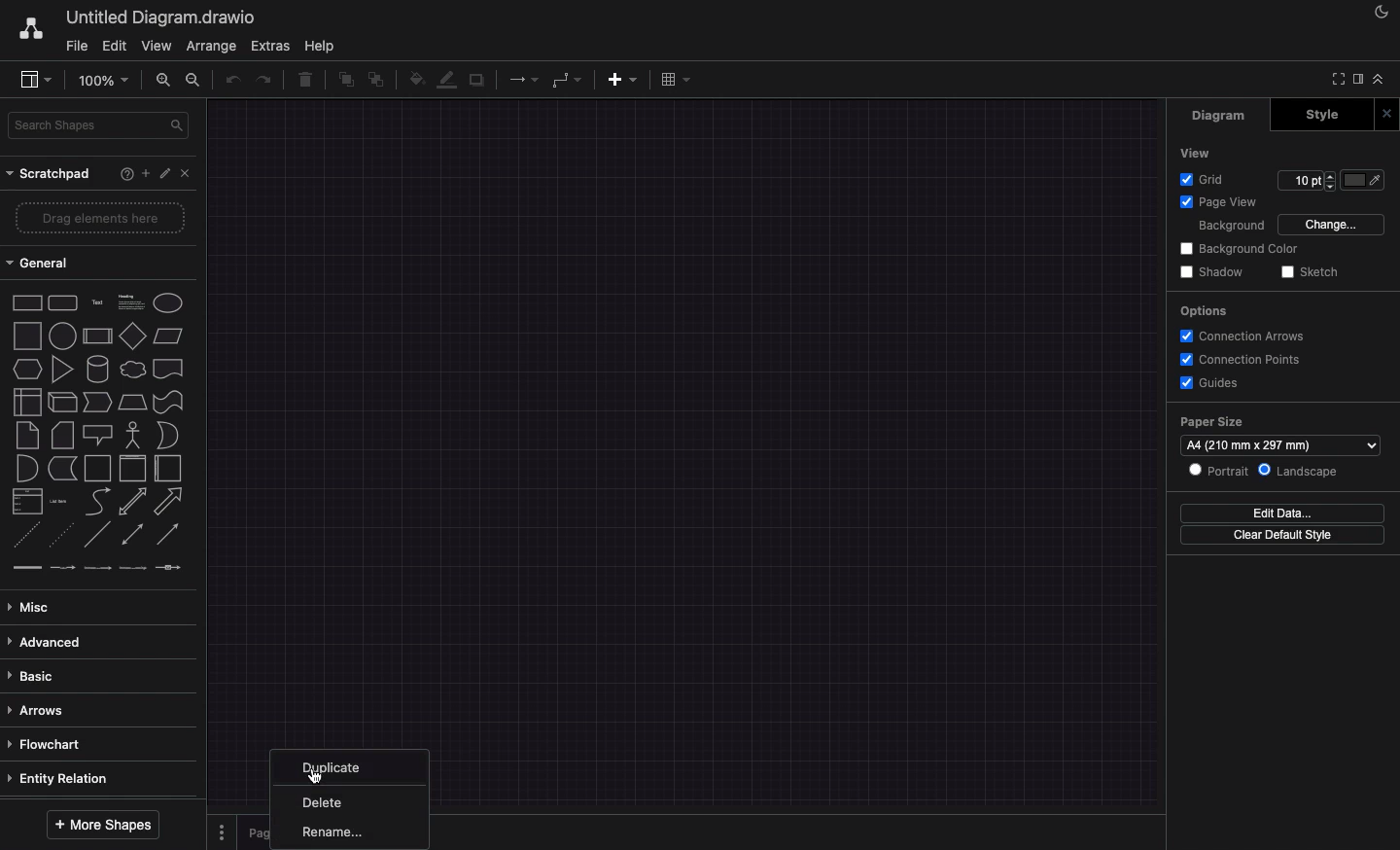 This screenshot has height=850, width=1400. What do you see at coordinates (133, 370) in the screenshot?
I see `cloud` at bounding box center [133, 370].